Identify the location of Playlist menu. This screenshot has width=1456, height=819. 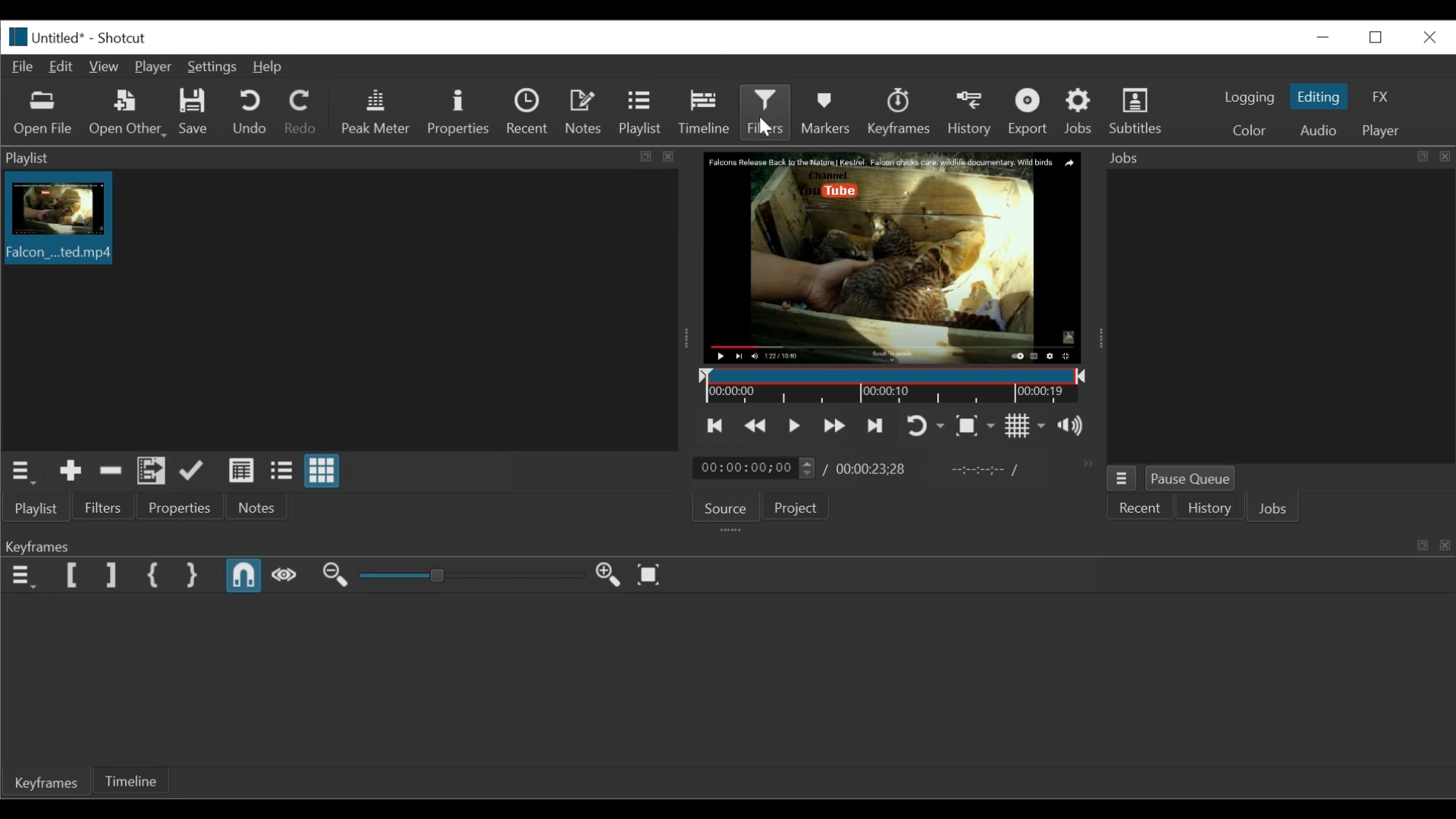
(36, 509).